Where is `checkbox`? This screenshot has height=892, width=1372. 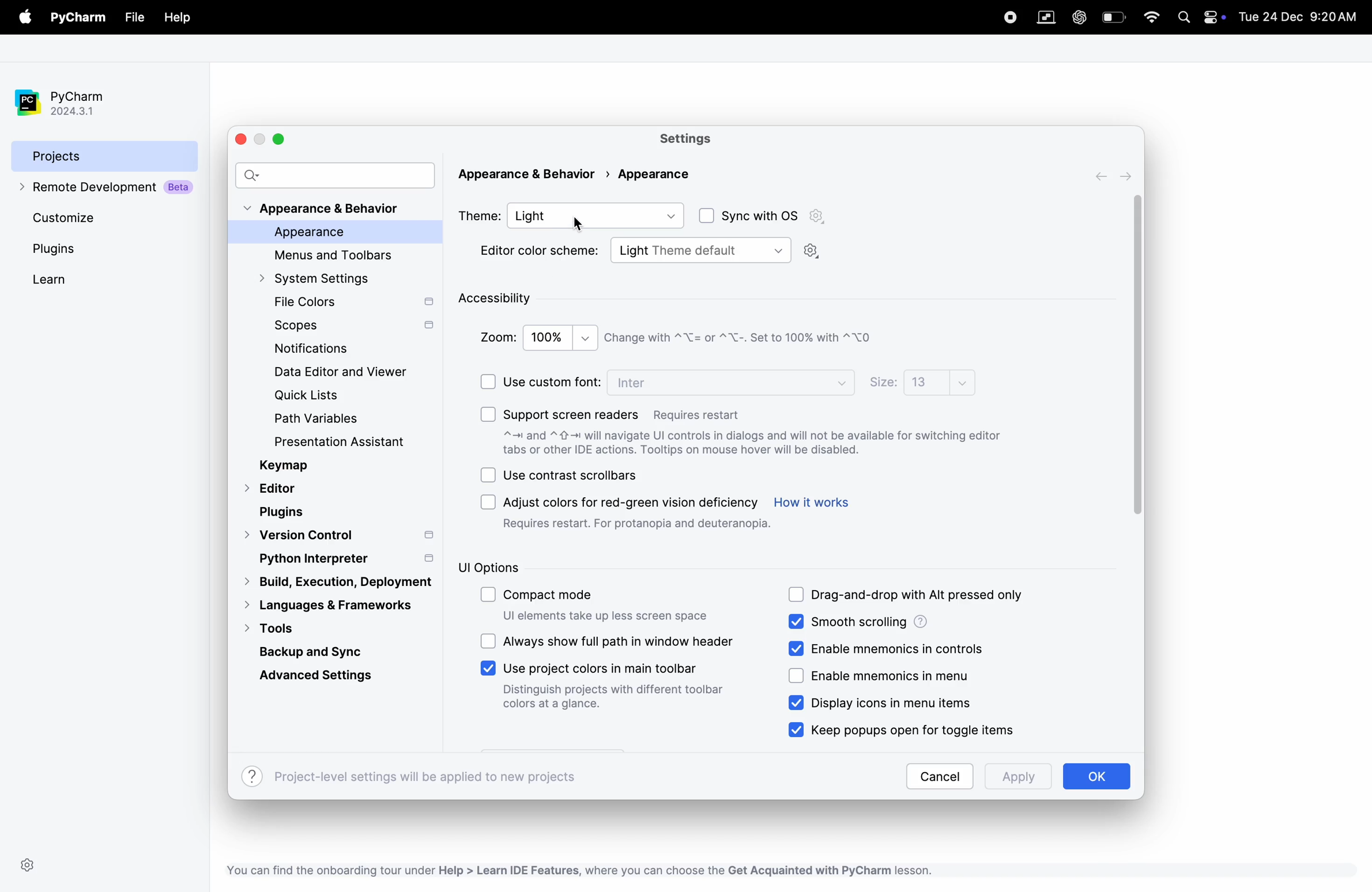 checkbox is located at coordinates (488, 414).